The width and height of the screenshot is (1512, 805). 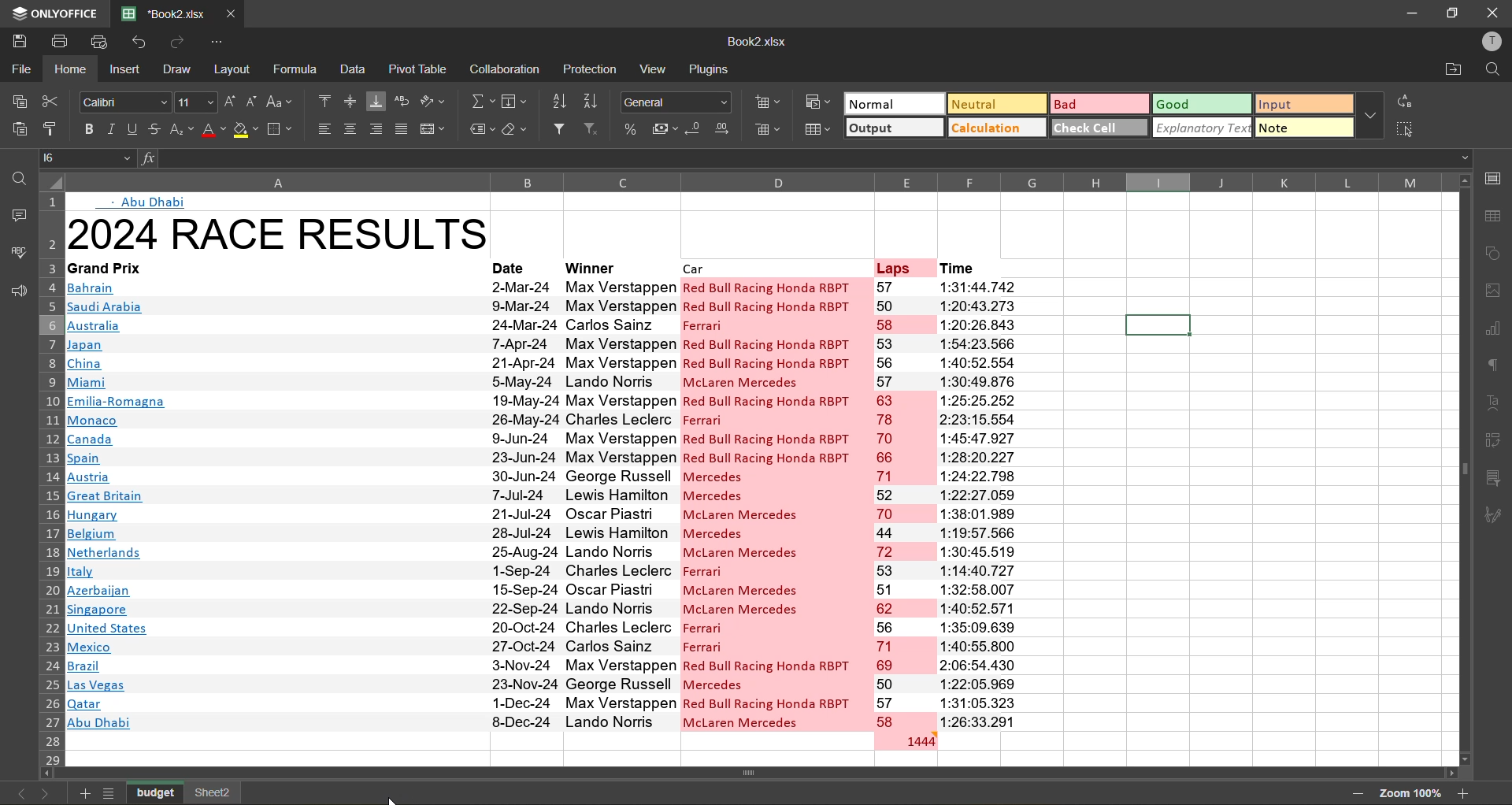 I want to click on delete cells, so click(x=768, y=130).